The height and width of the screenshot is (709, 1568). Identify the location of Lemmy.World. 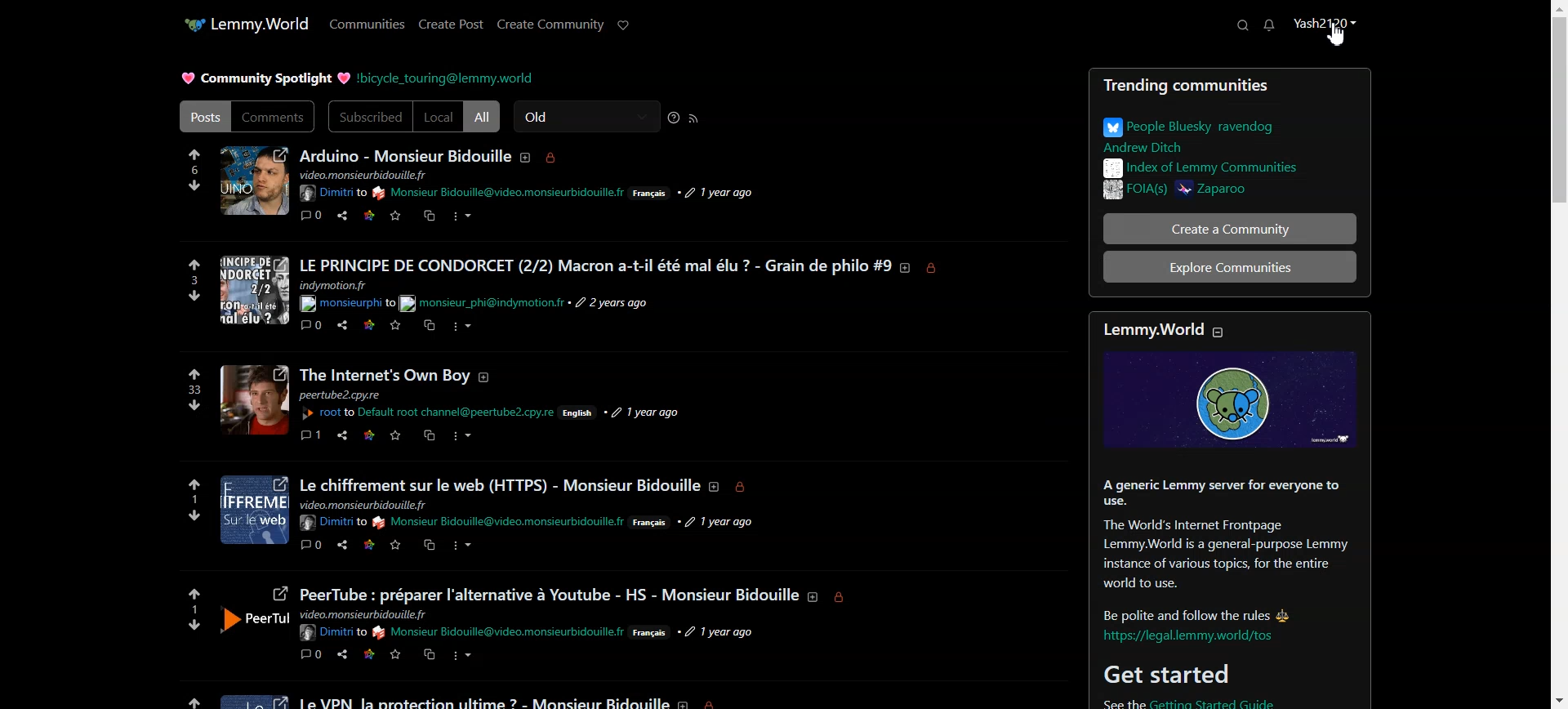
(263, 23).